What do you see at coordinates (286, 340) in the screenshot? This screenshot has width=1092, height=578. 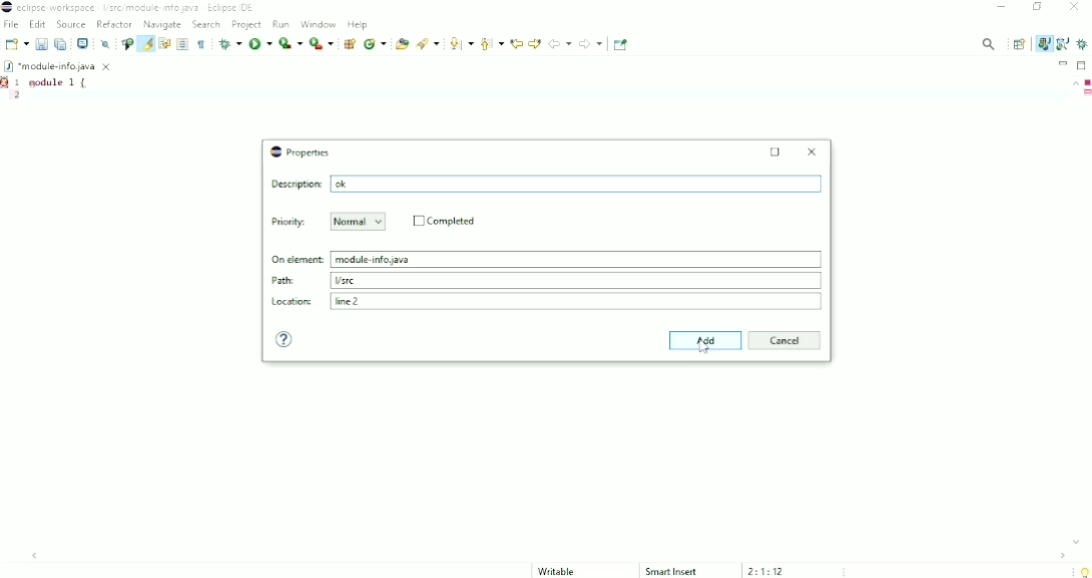 I see `Help` at bounding box center [286, 340].